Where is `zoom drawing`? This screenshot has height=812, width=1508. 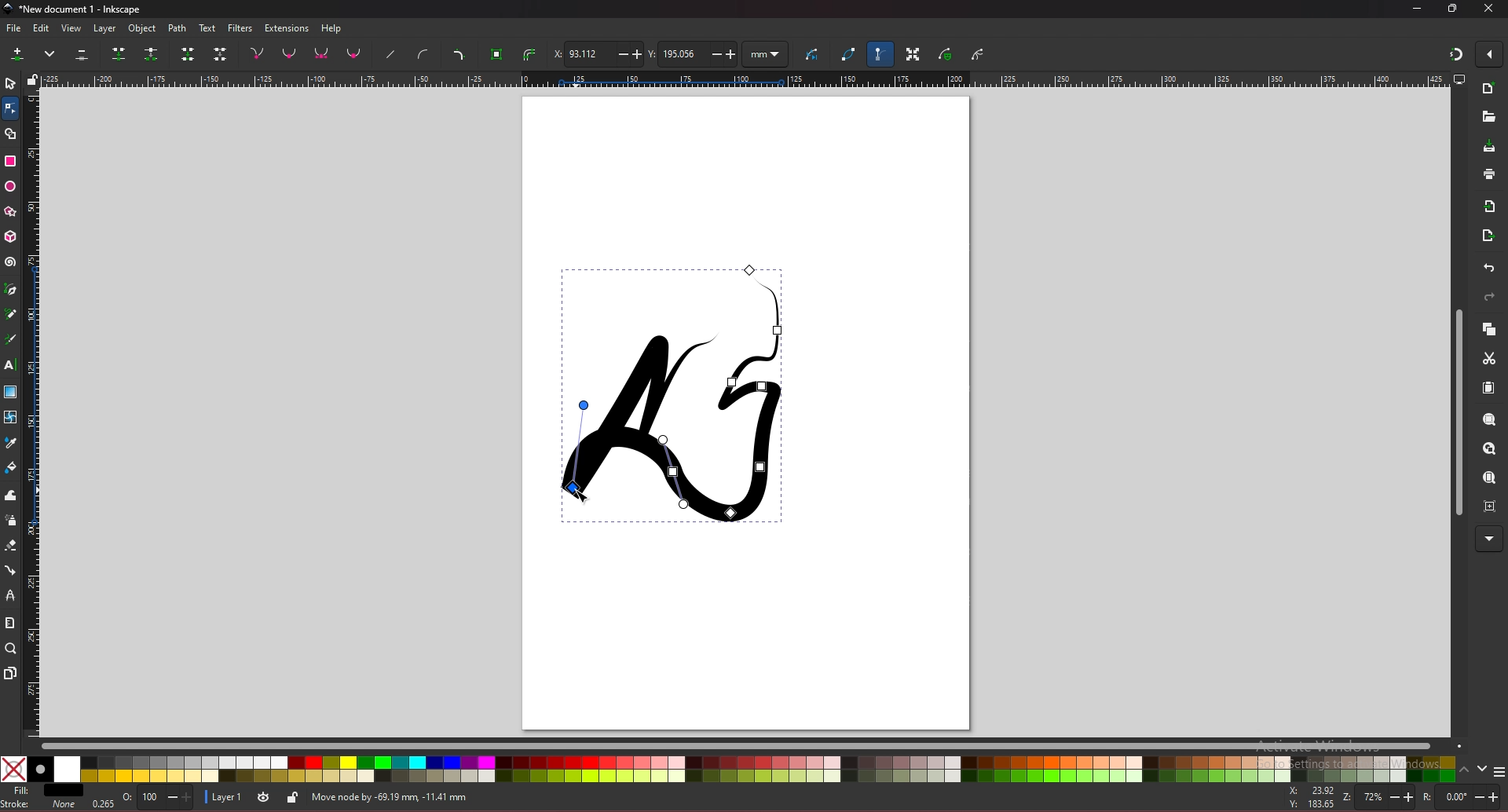 zoom drawing is located at coordinates (1489, 450).